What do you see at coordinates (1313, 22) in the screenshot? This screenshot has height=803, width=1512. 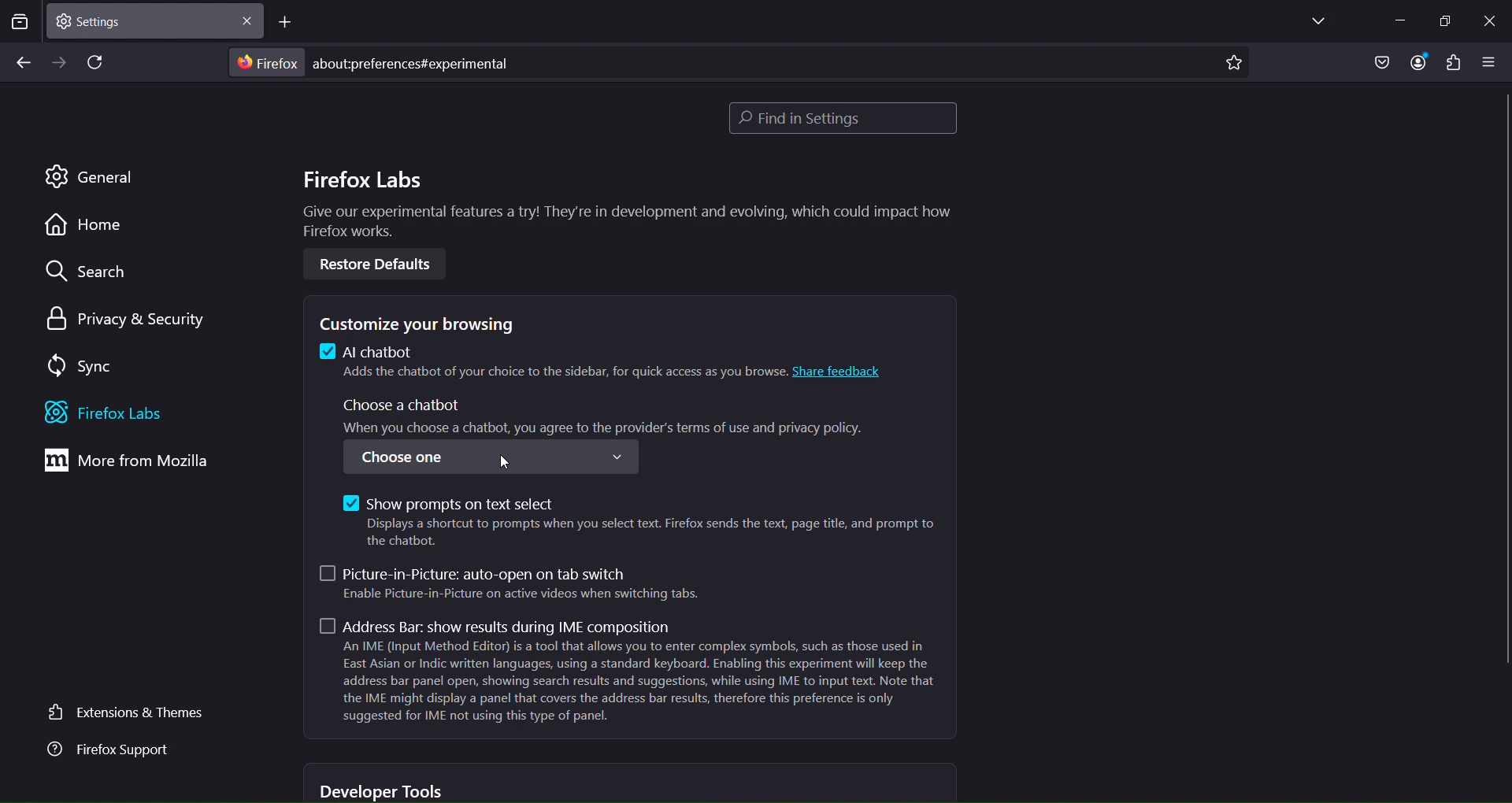 I see `list all tabs` at bounding box center [1313, 22].